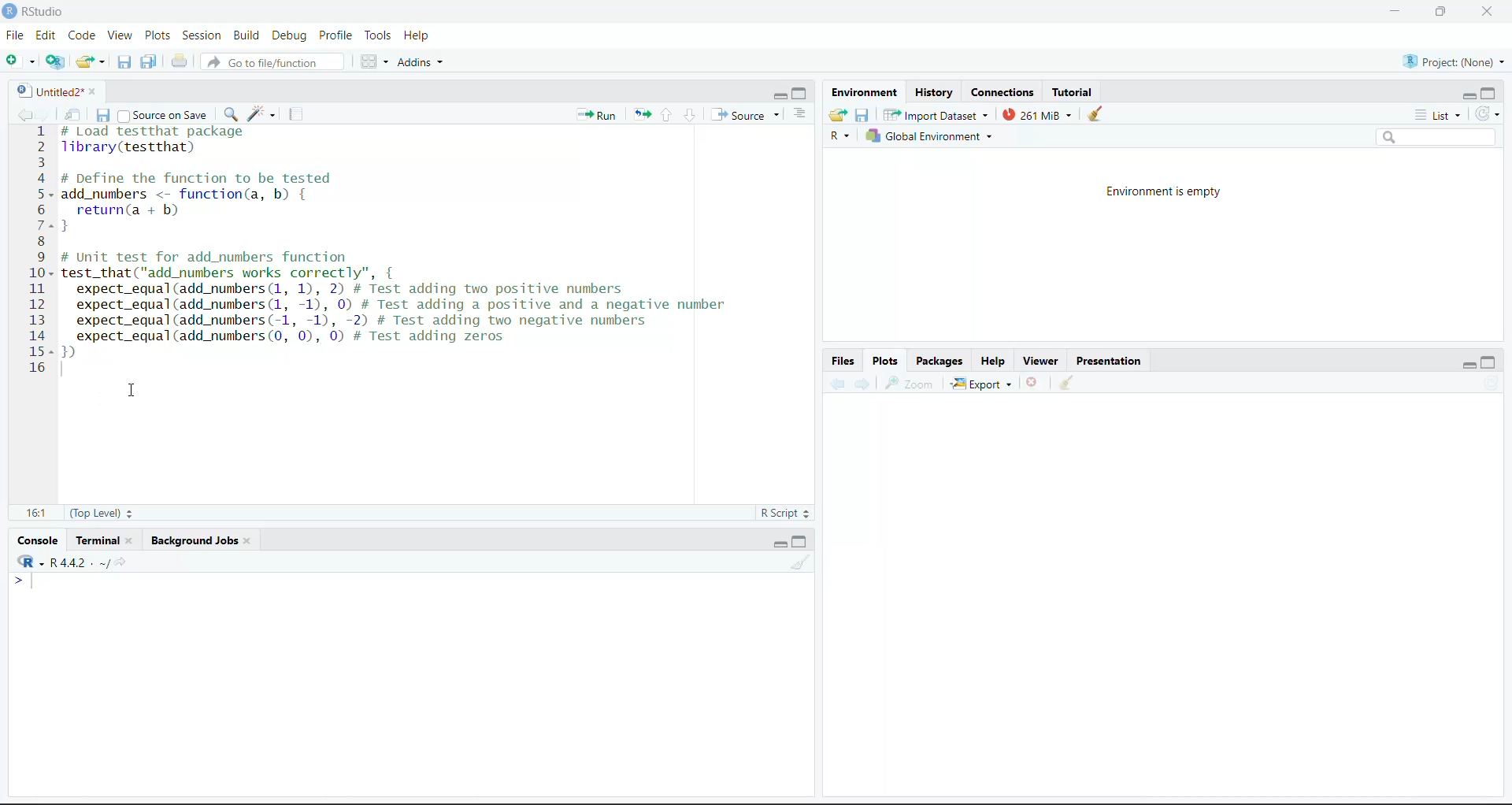 The image size is (1512, 805). Describe the element at coordinates (198, 204) in the screenshot. I see `# DeTine the Tunction to be tested

add_numbers <- function(a, b) {
return(a + b)

}` at that location.